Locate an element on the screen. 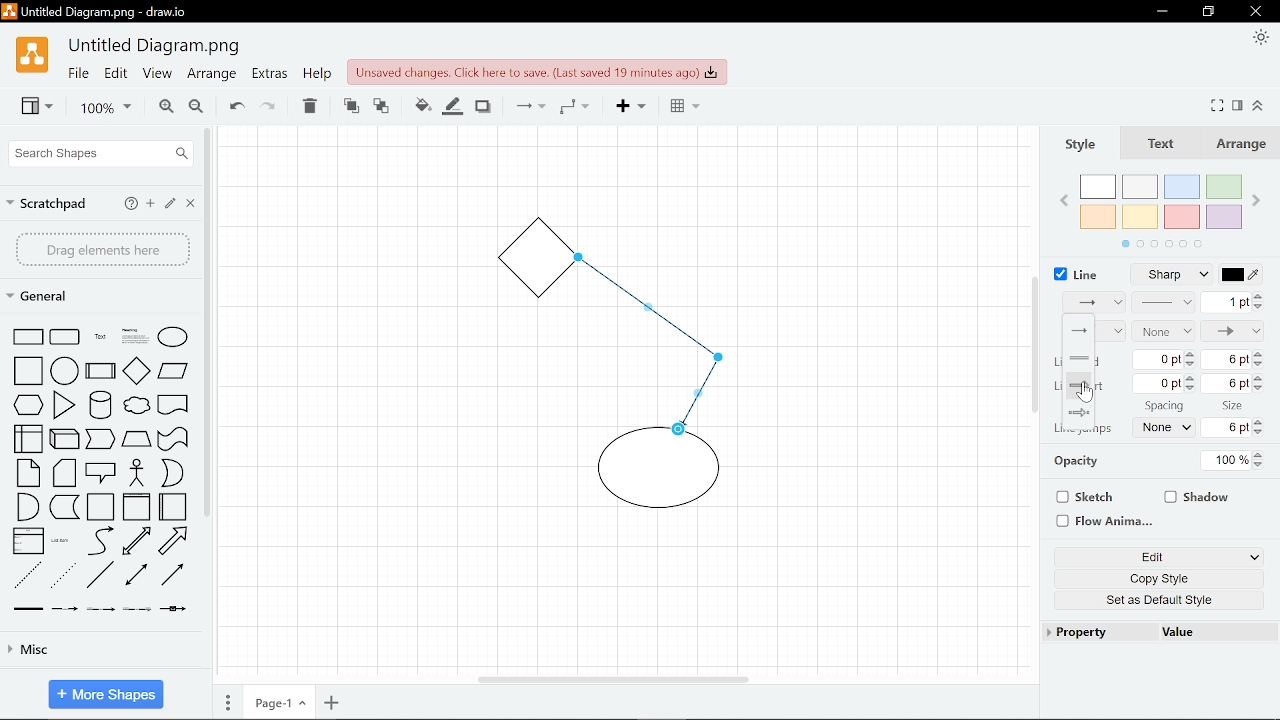  Waypoints is located at coordinates (574, 108).